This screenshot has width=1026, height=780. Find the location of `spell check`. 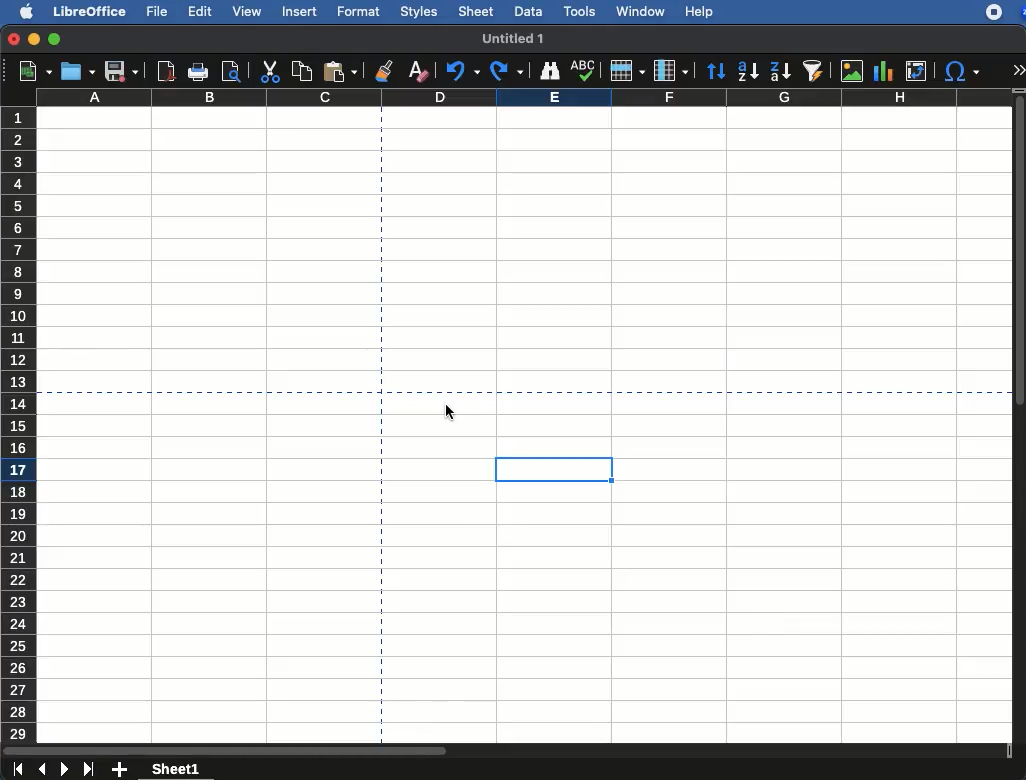

spell check is located at coordinates (583, 70).